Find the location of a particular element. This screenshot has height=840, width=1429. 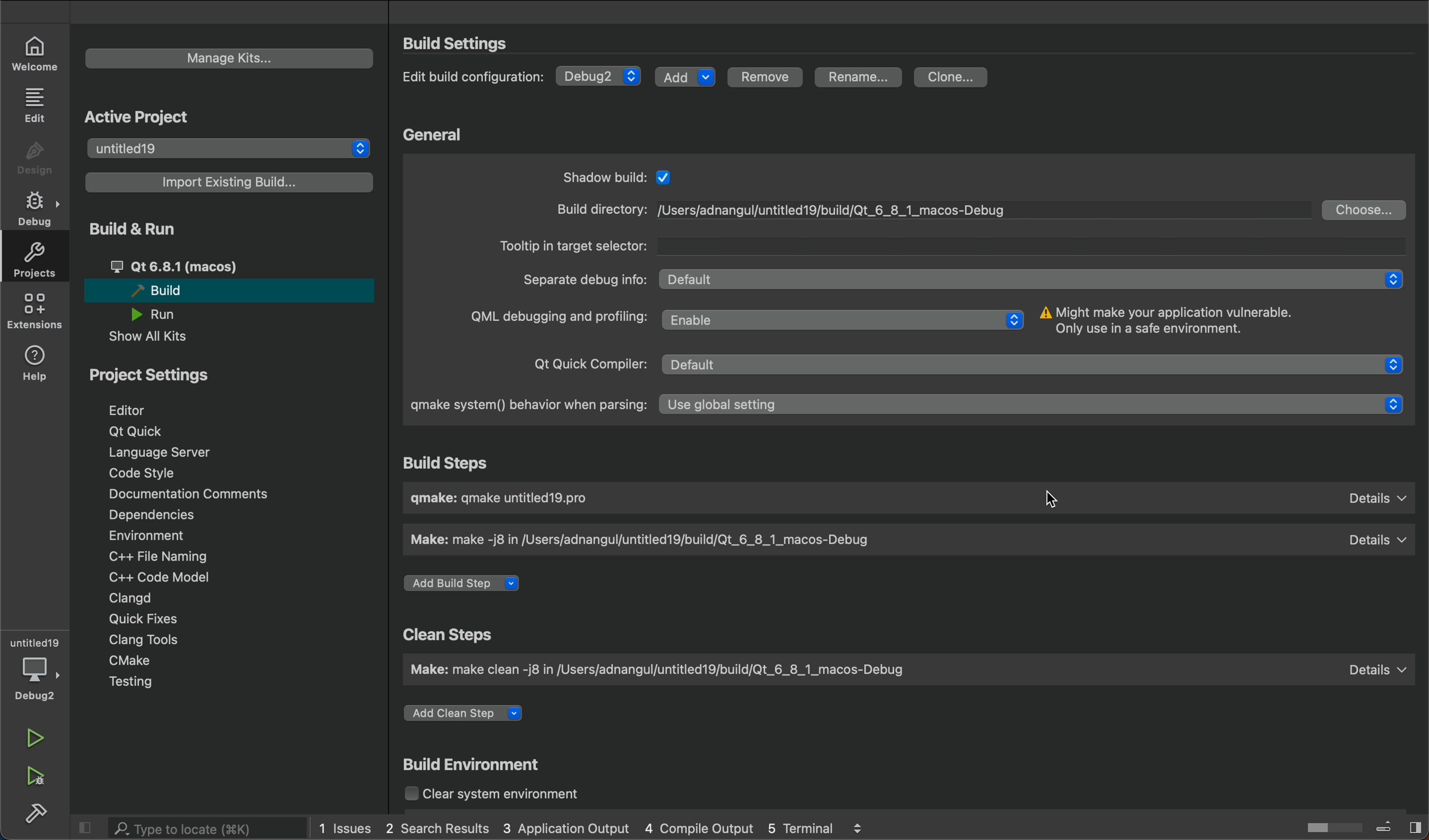

active project is located at coordinates (141, 114).